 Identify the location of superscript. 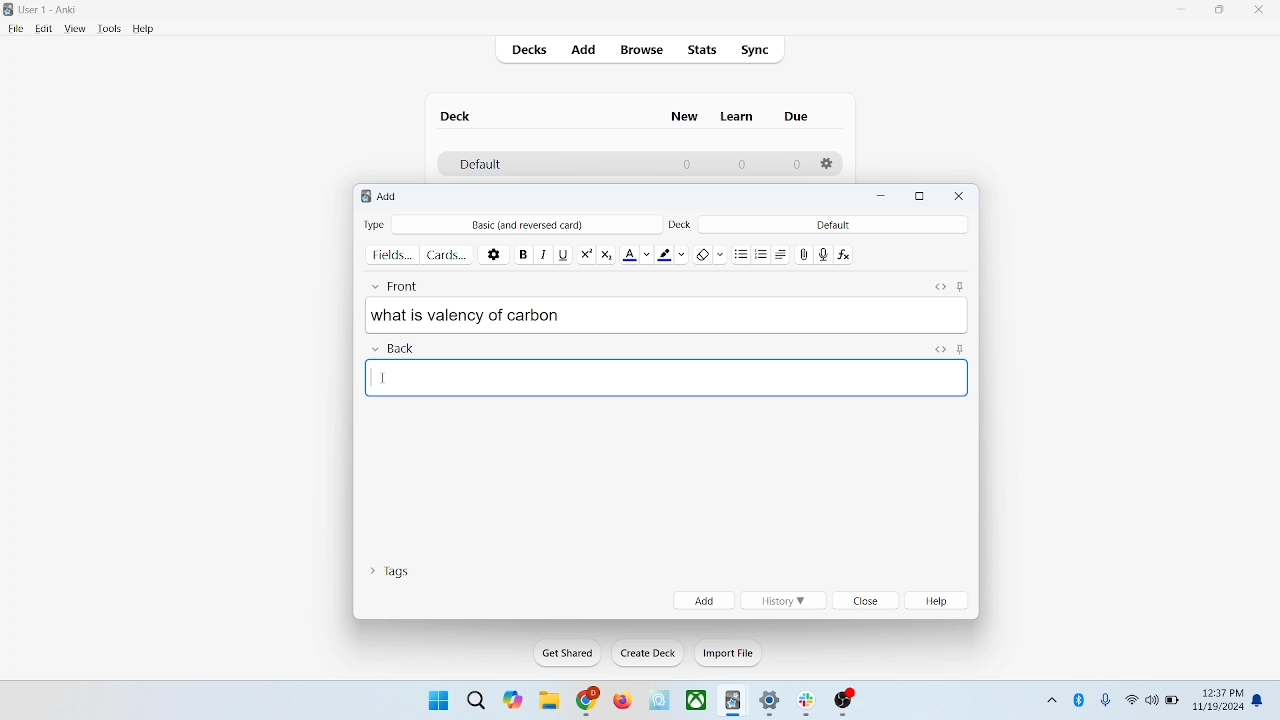
(586, 252).